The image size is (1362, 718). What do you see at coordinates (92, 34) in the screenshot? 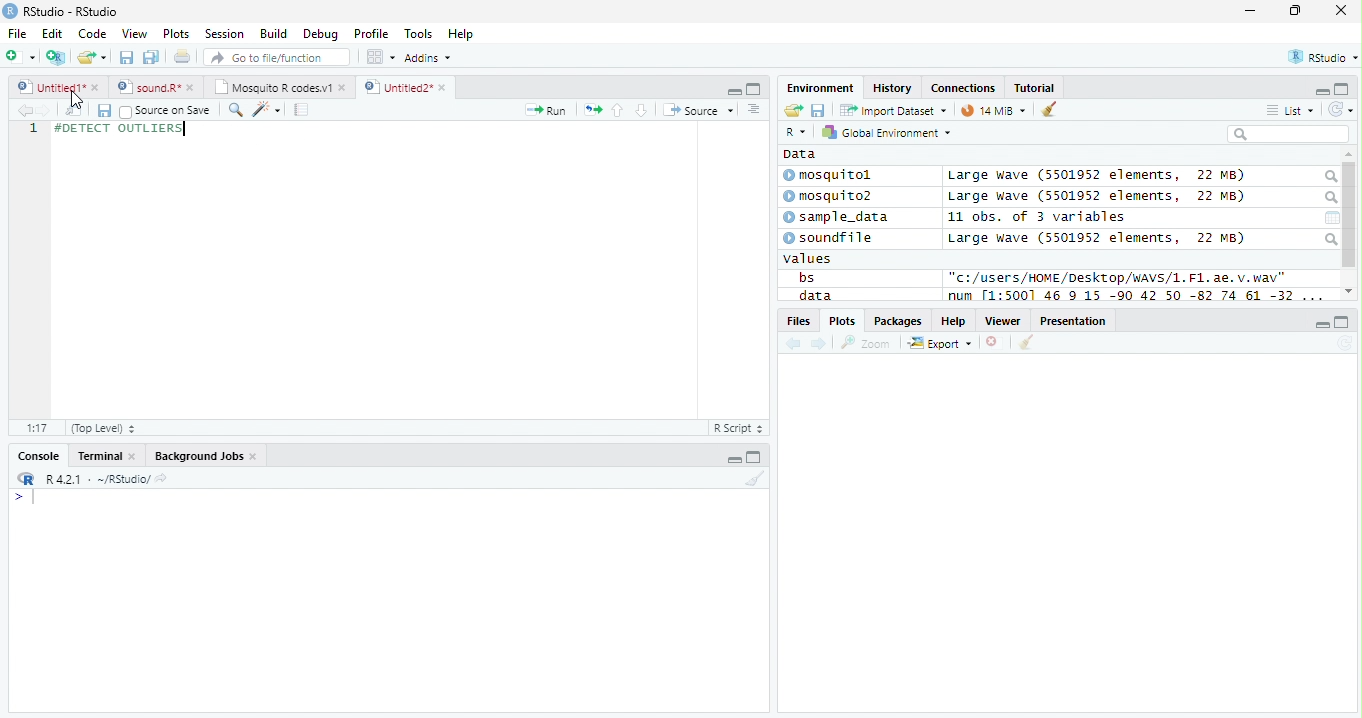
I see `Code` at bounding box center [92, 34].